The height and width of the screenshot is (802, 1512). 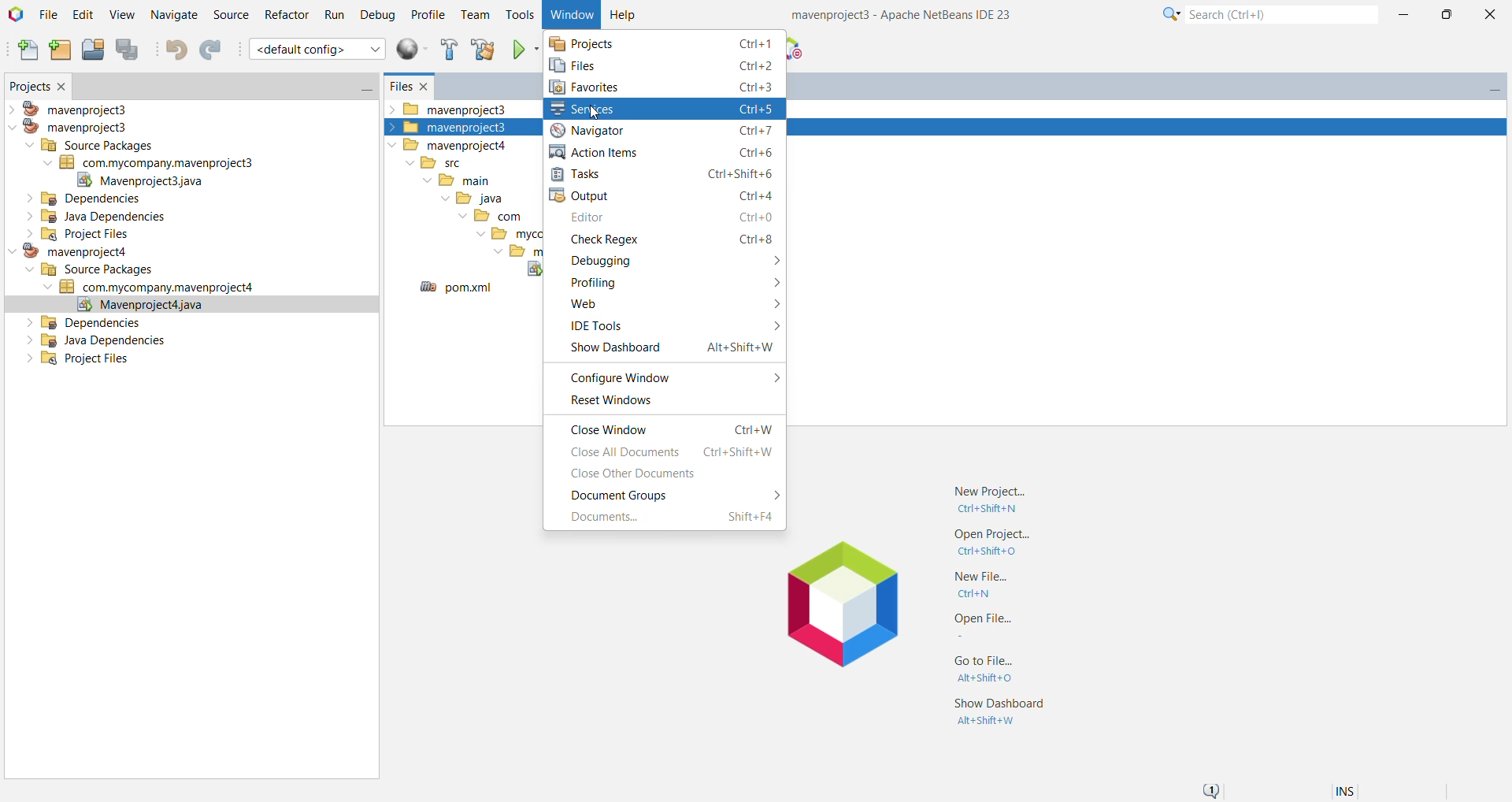 What do you see at coordinates (63, 86) in the screenshot?
I see `Close Window` at bounding box center [63, 86].